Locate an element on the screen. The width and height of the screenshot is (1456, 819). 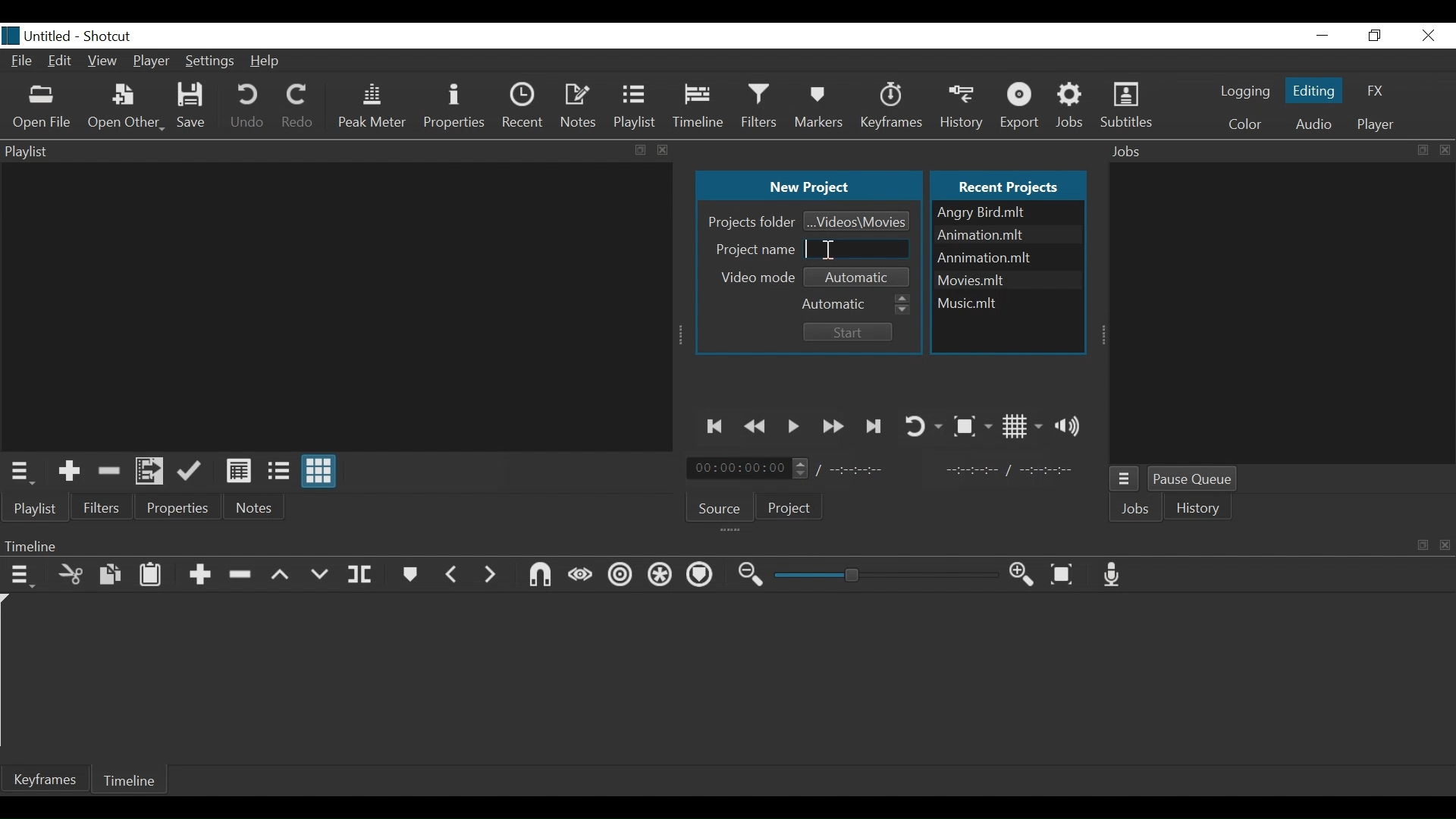
Copy is located at coordinates (111, 575).